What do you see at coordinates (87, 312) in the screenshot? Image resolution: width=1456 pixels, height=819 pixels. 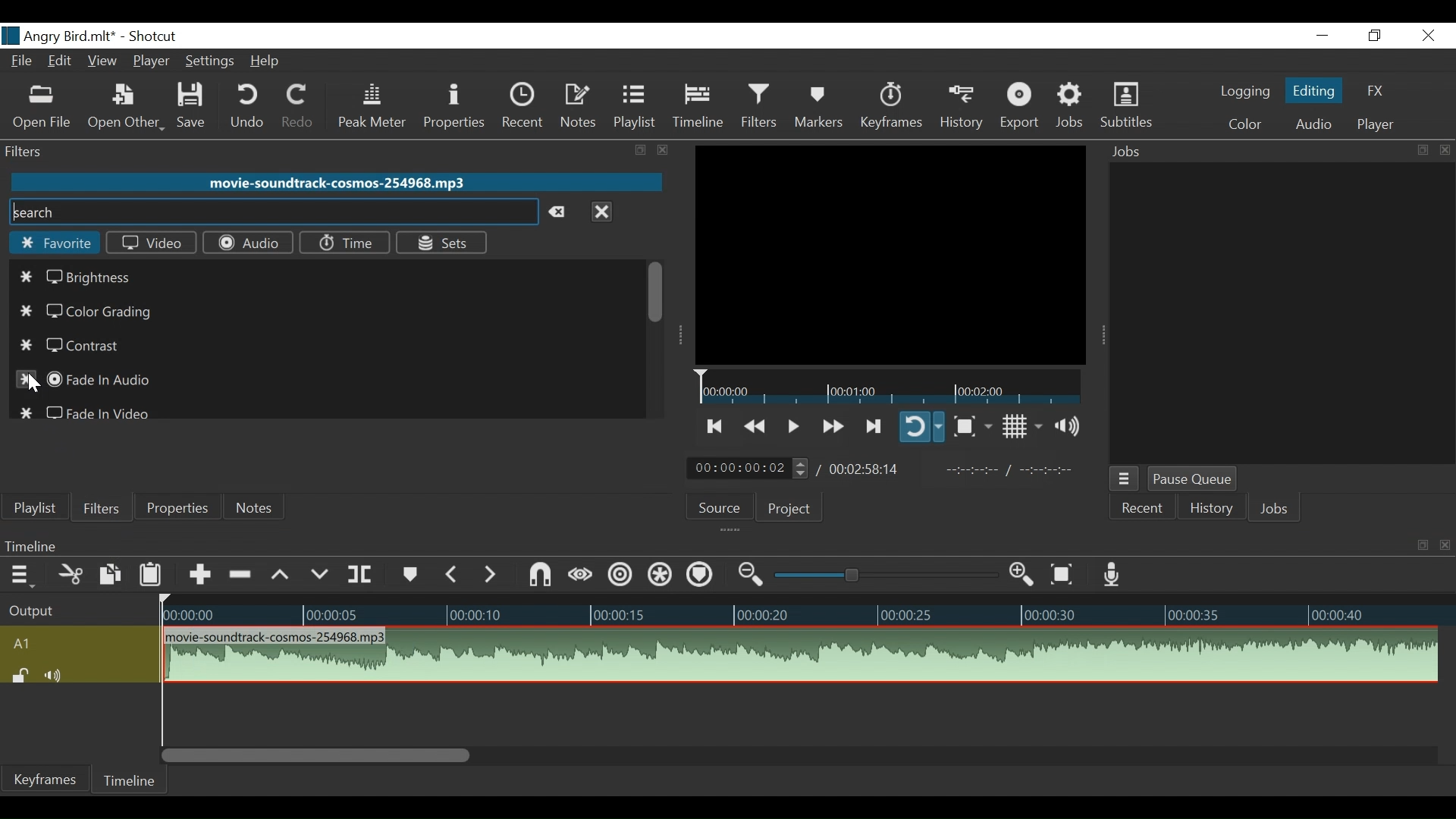 I see `Color Grading` at bounding box center [87, 312].